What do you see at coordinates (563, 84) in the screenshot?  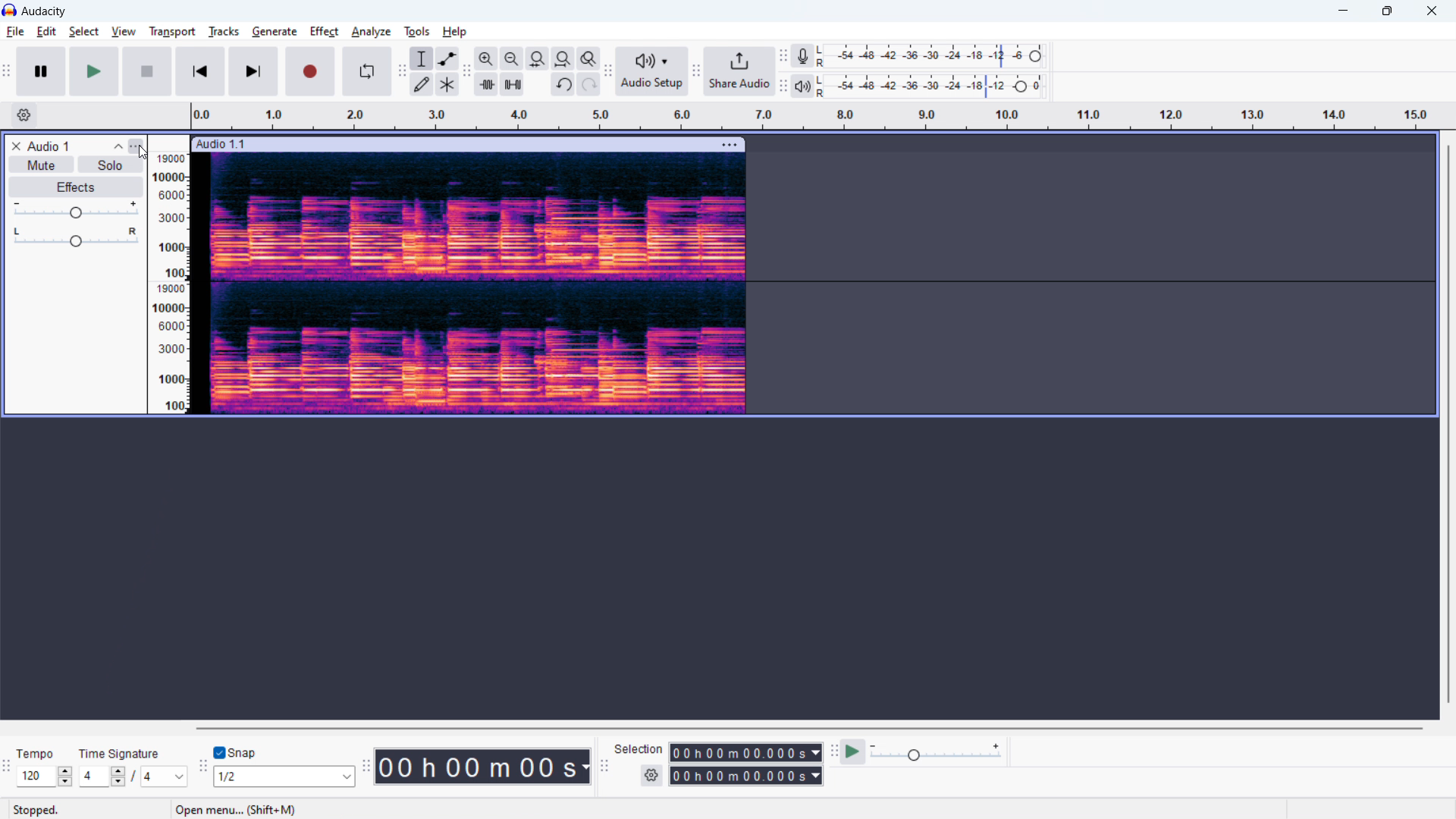 I see `undo` at bounding box center [563, 84].